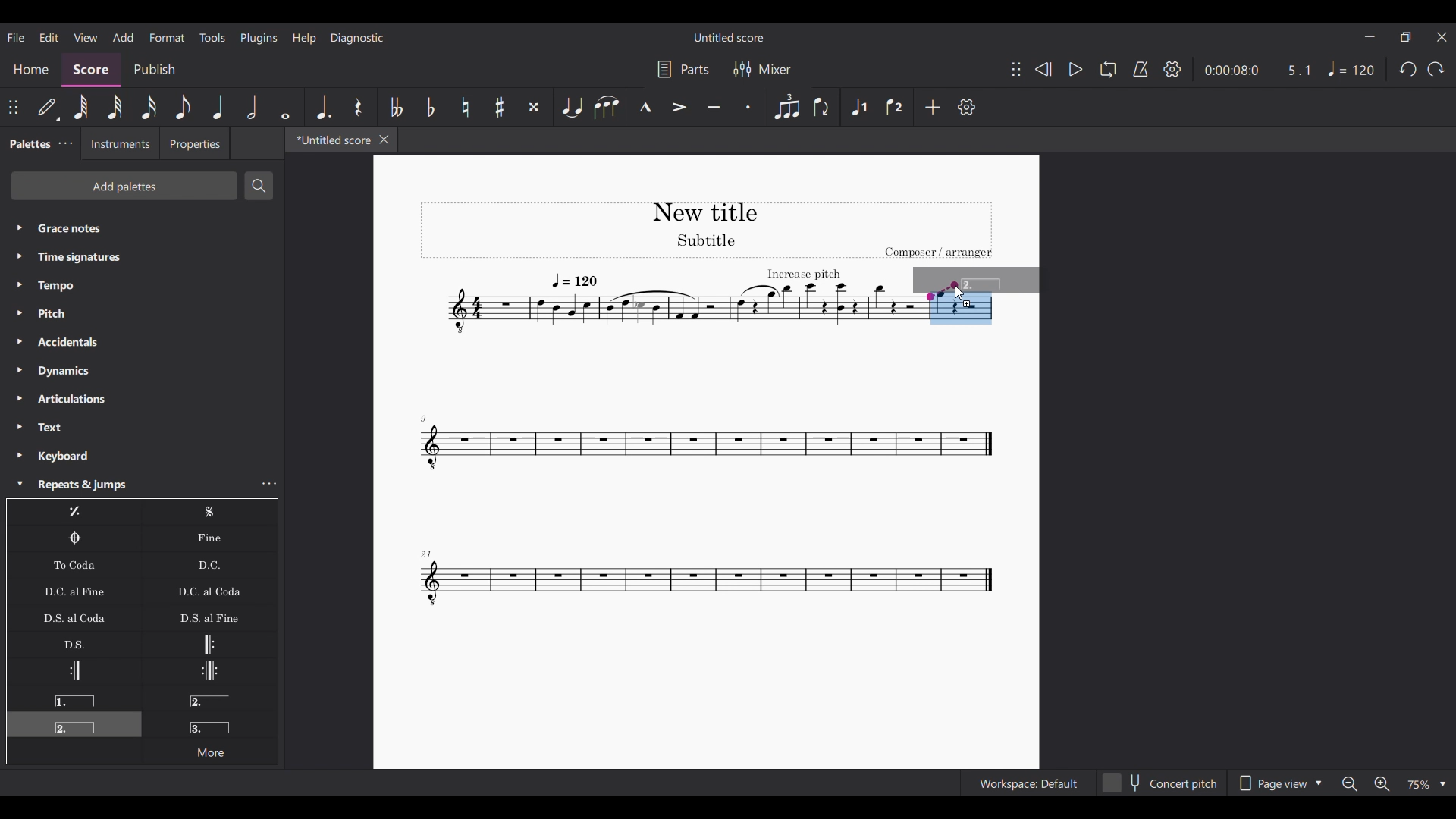 The height and width of the screenshot is (819, 1456). Describe the element at coordinates (74, 565) in the screenshot. I see `To Coda` at that location.